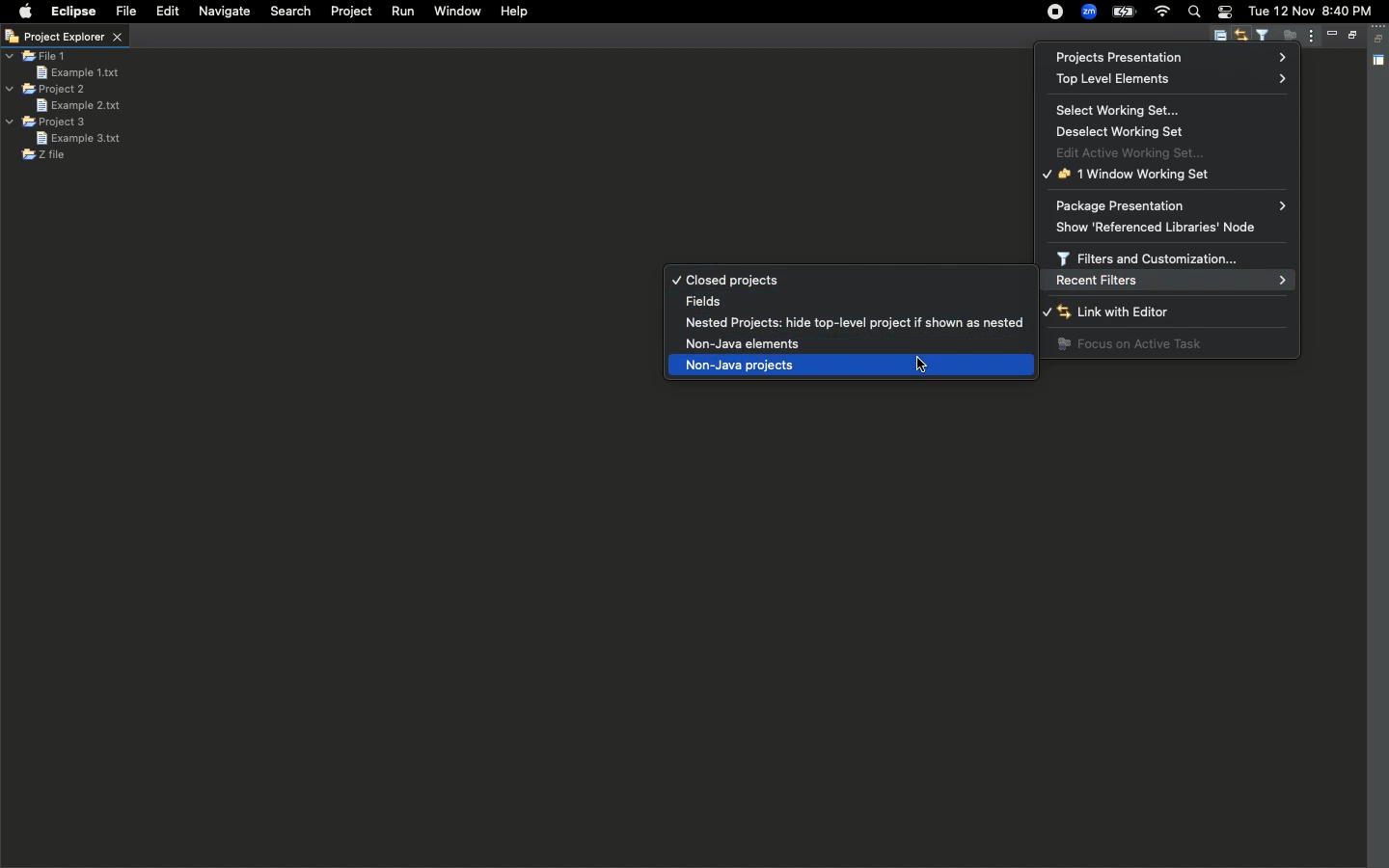 The image size is (1389, 868). What do you see at coordinates (1171, 281) in the screenshot?
I see `Recent filters` at bounding box center [1171, 281].